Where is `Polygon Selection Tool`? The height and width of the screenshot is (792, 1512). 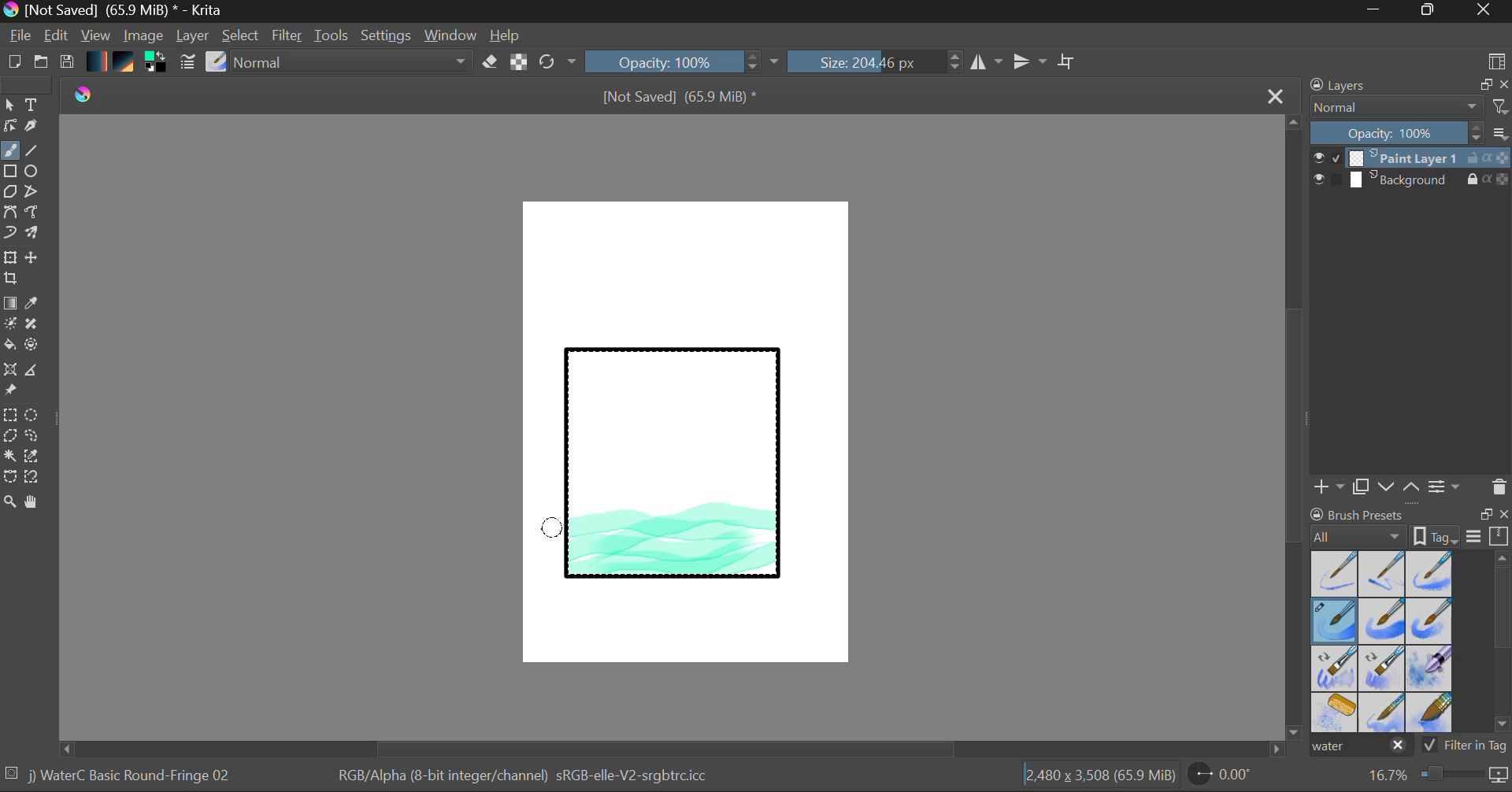 Polygon Selection Tool is located at coordinates (9, 436).